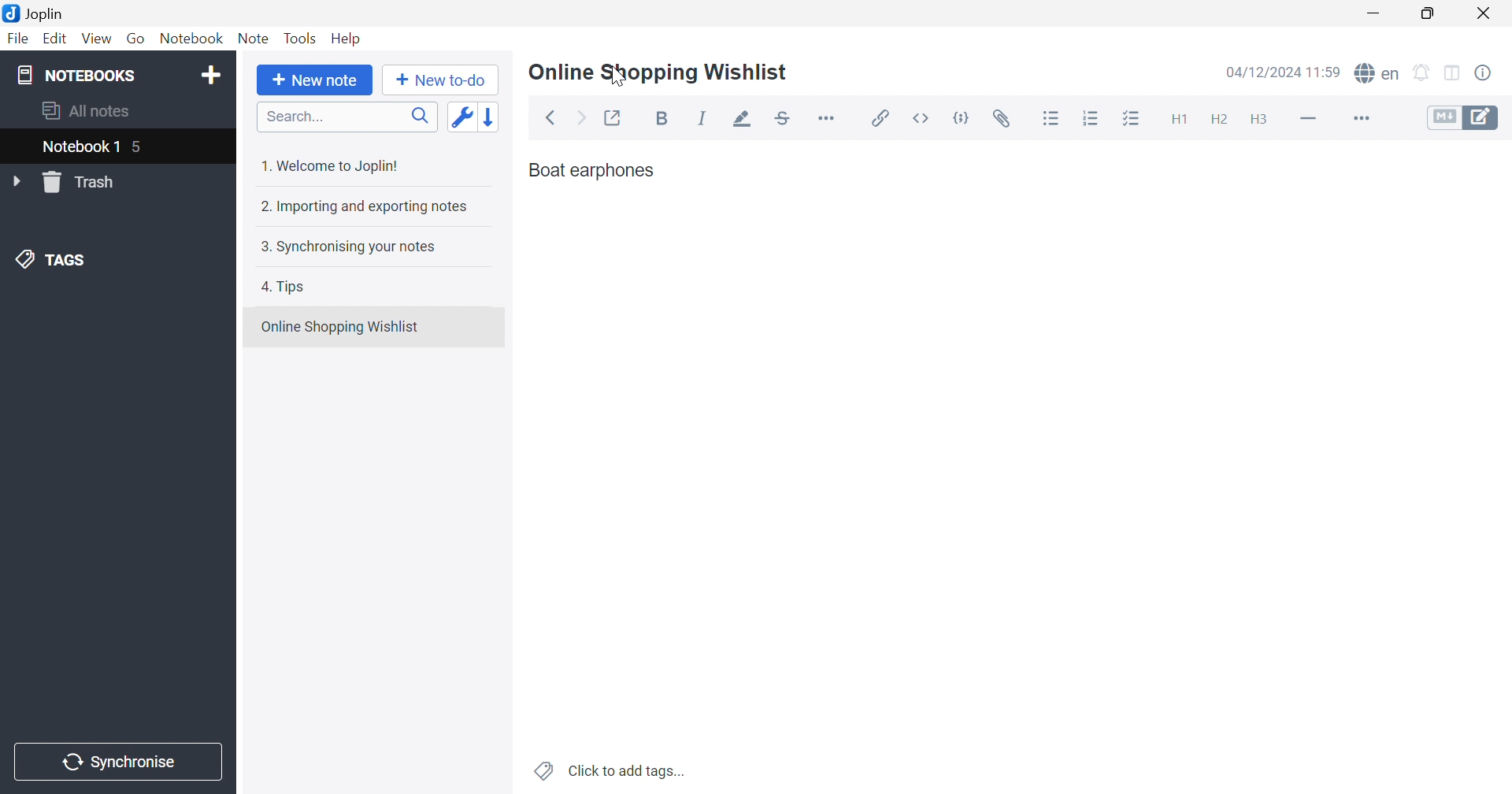 The height and width of the screenshot is (794, 1512). I want to click on View, so click(95, 39).